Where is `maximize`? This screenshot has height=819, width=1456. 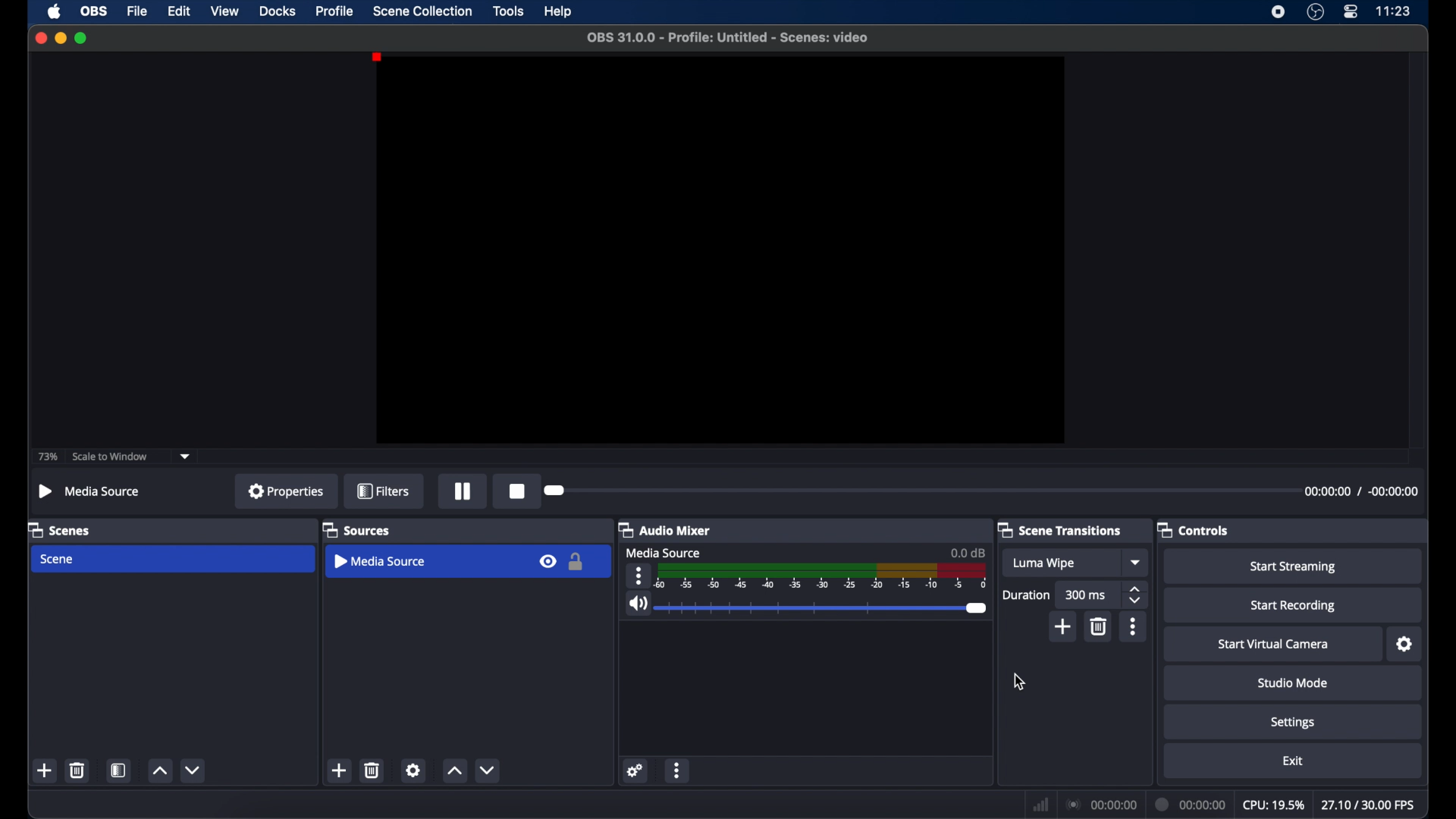 maximize is located at coordinates (82, 38).